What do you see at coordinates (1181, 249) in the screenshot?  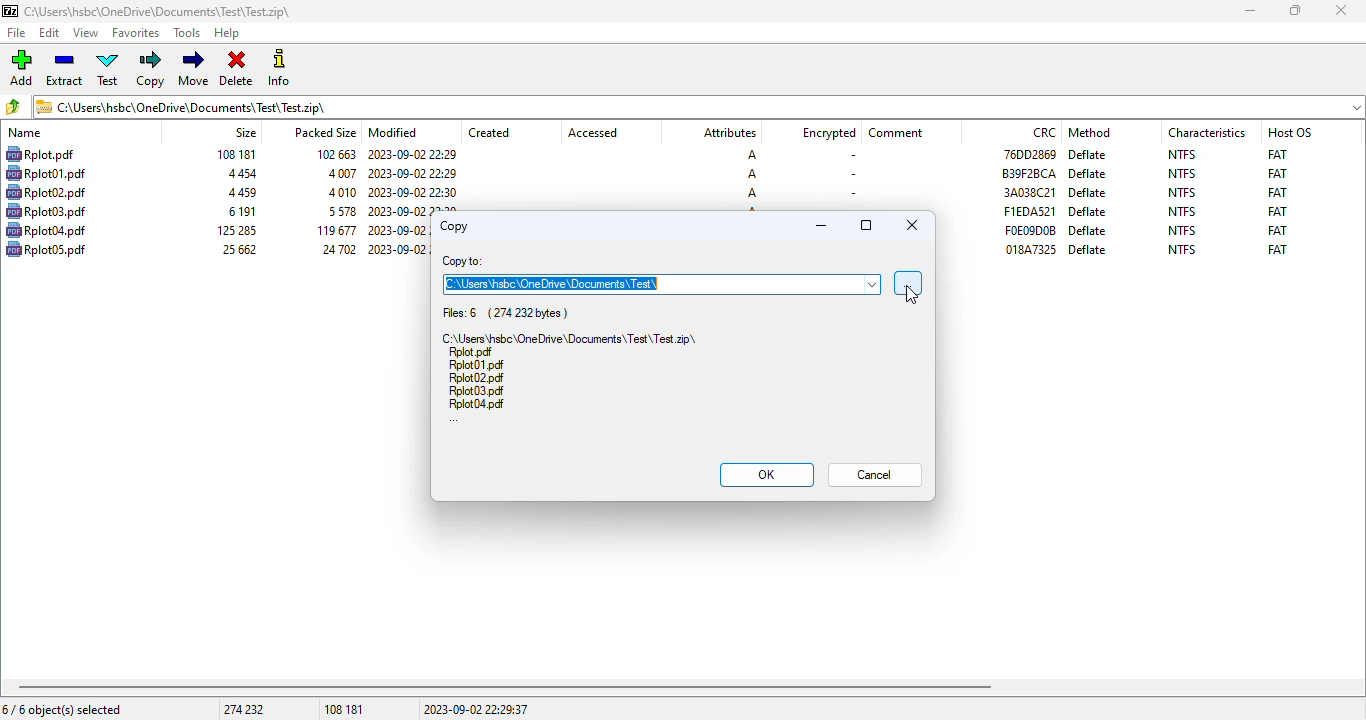 I see `NTFS` at bounding box center [1181, 249].